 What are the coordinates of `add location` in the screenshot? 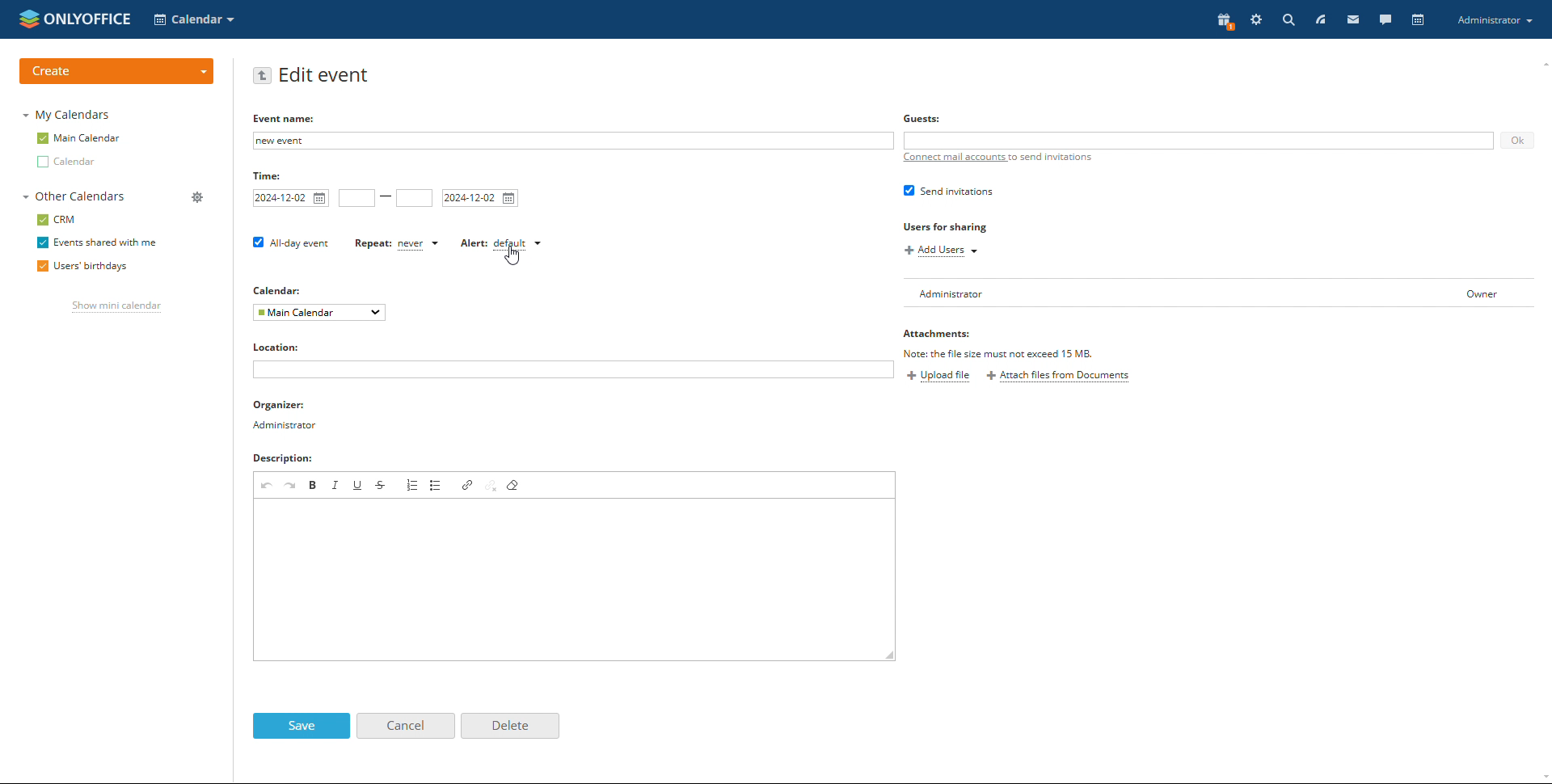 It's located at (572, 370).